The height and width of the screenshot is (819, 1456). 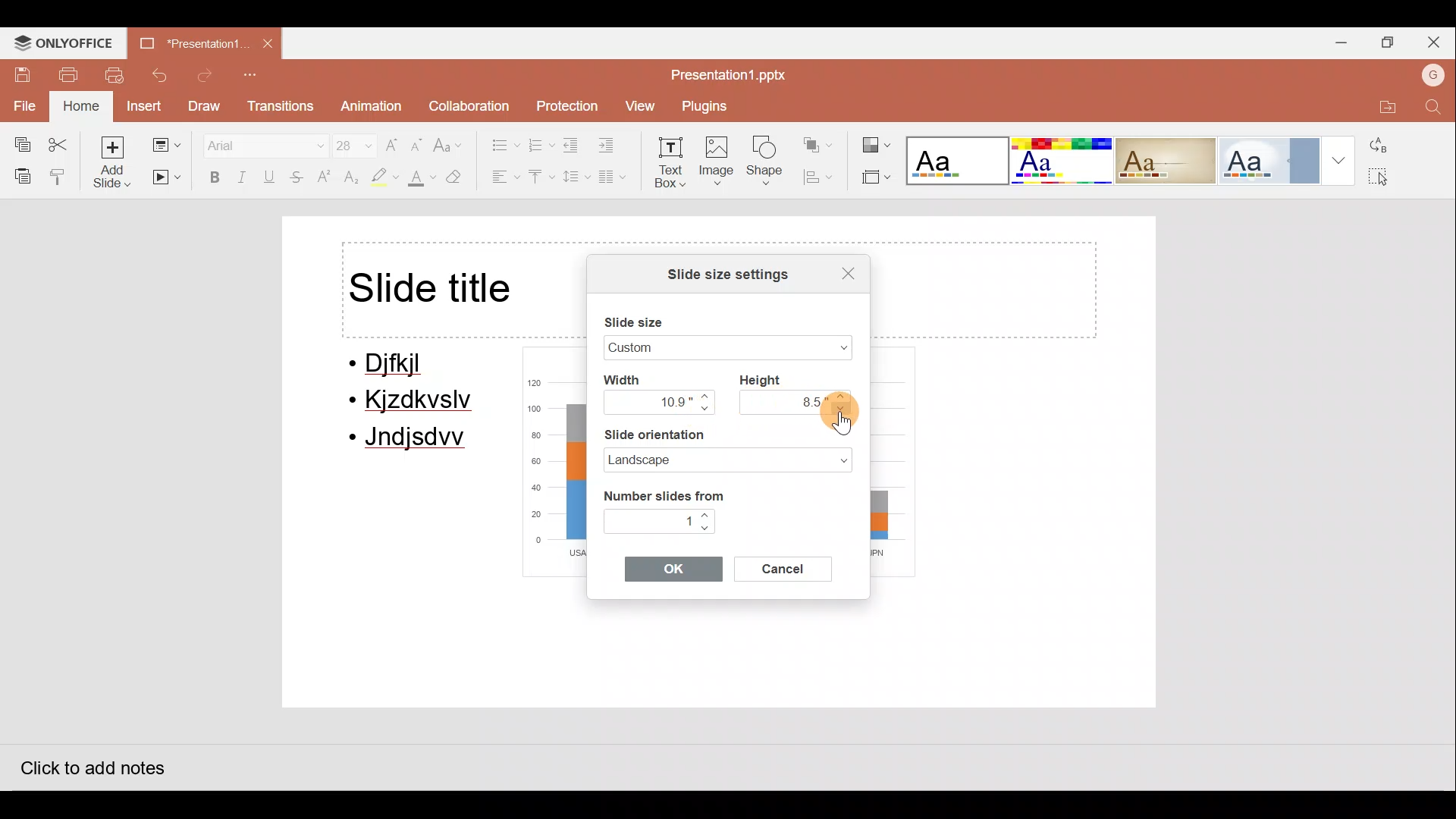 What do you see at coordinates (679, 571) in the screenshot?
I see `OK` at bounding box center [679, 571].